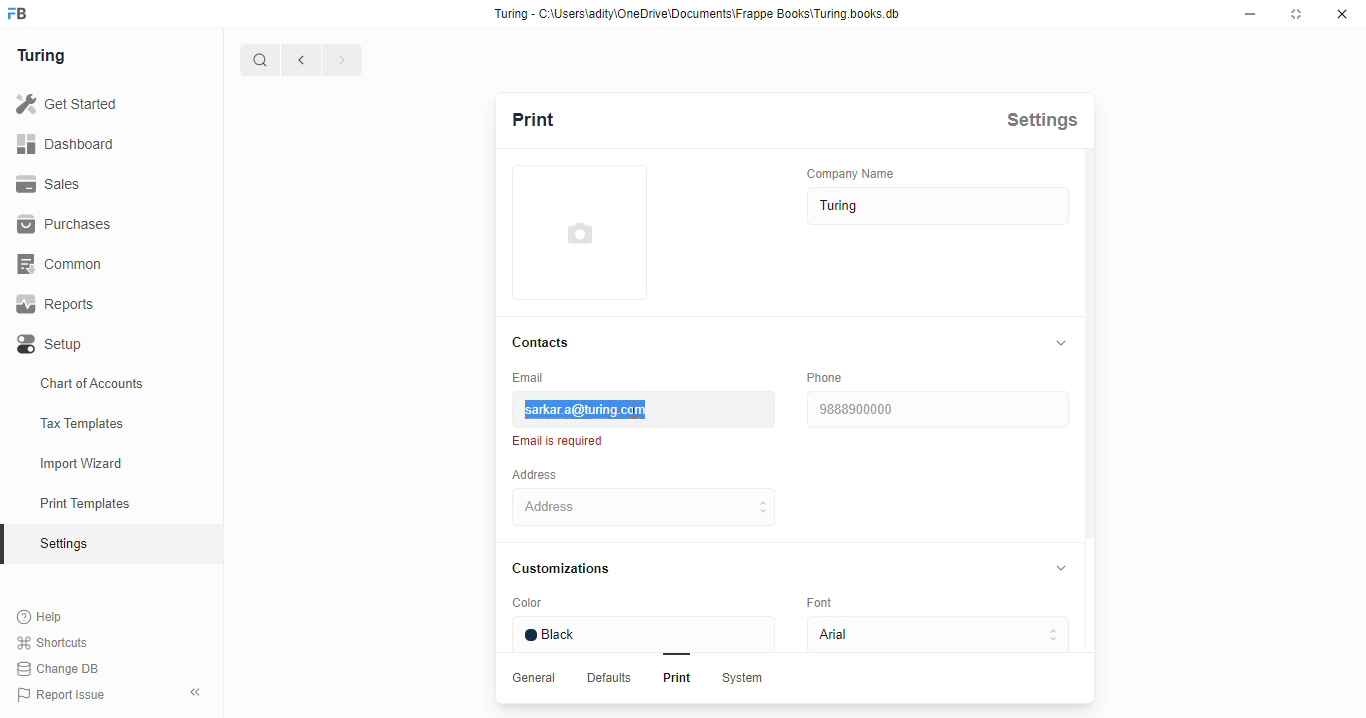 Image resolution: width=1366 pixels, height=718 pixels. I want to click on Avial, so click(933, 636).